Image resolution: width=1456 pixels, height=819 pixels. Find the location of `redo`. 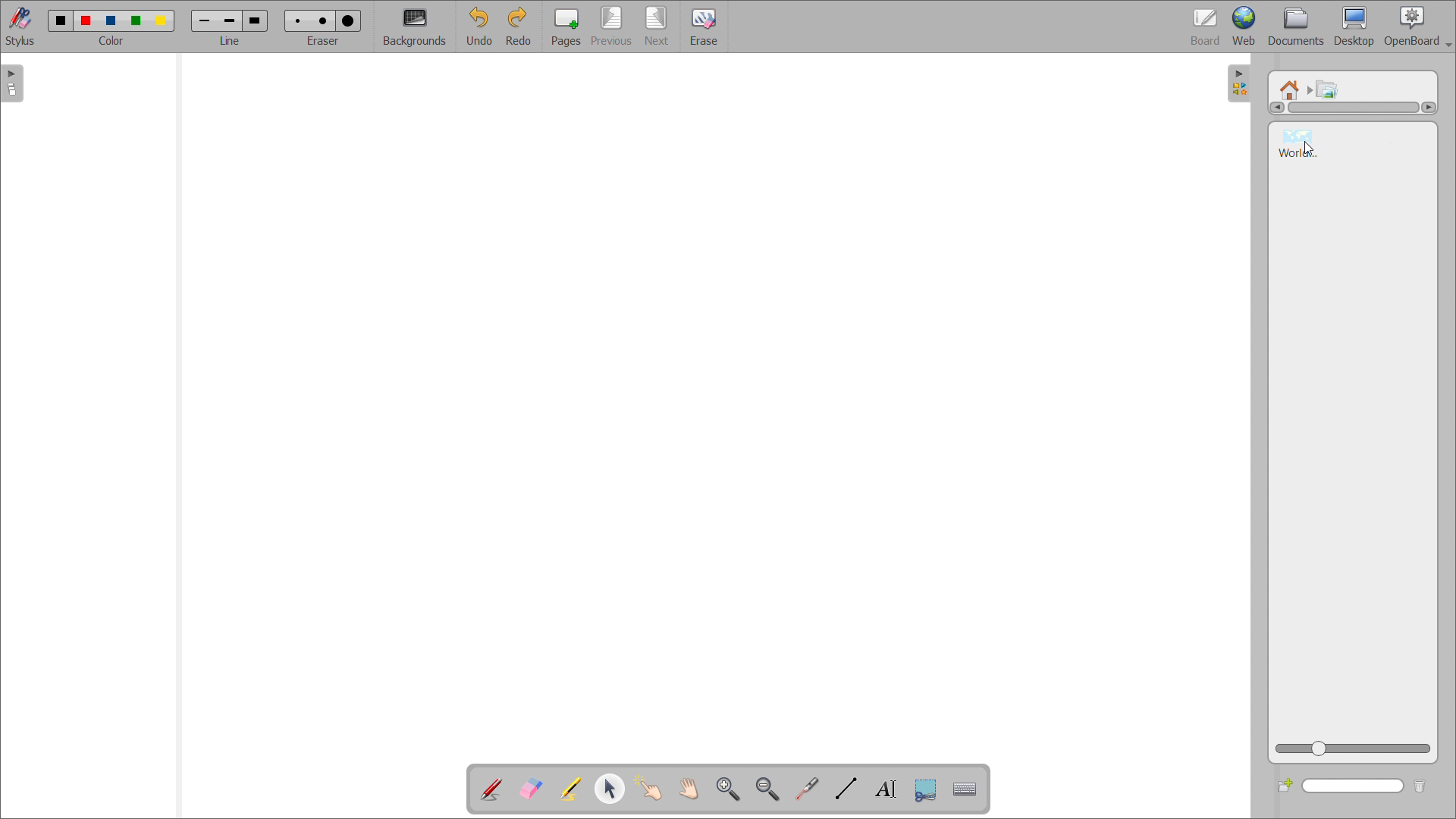

redo is located at coordinates (518, 27).